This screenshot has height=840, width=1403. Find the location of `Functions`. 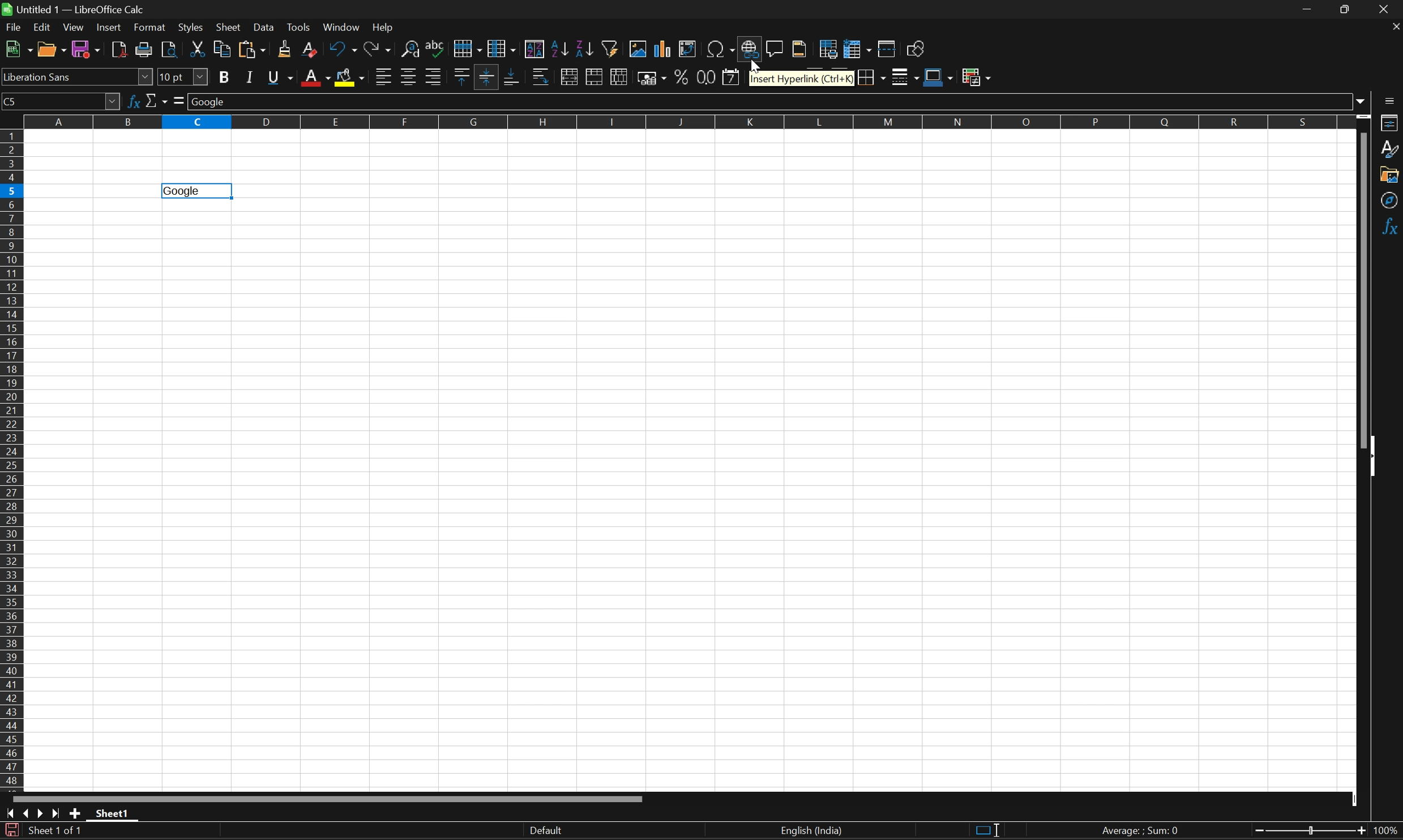

Functions is located at coordinates (1391, 228).